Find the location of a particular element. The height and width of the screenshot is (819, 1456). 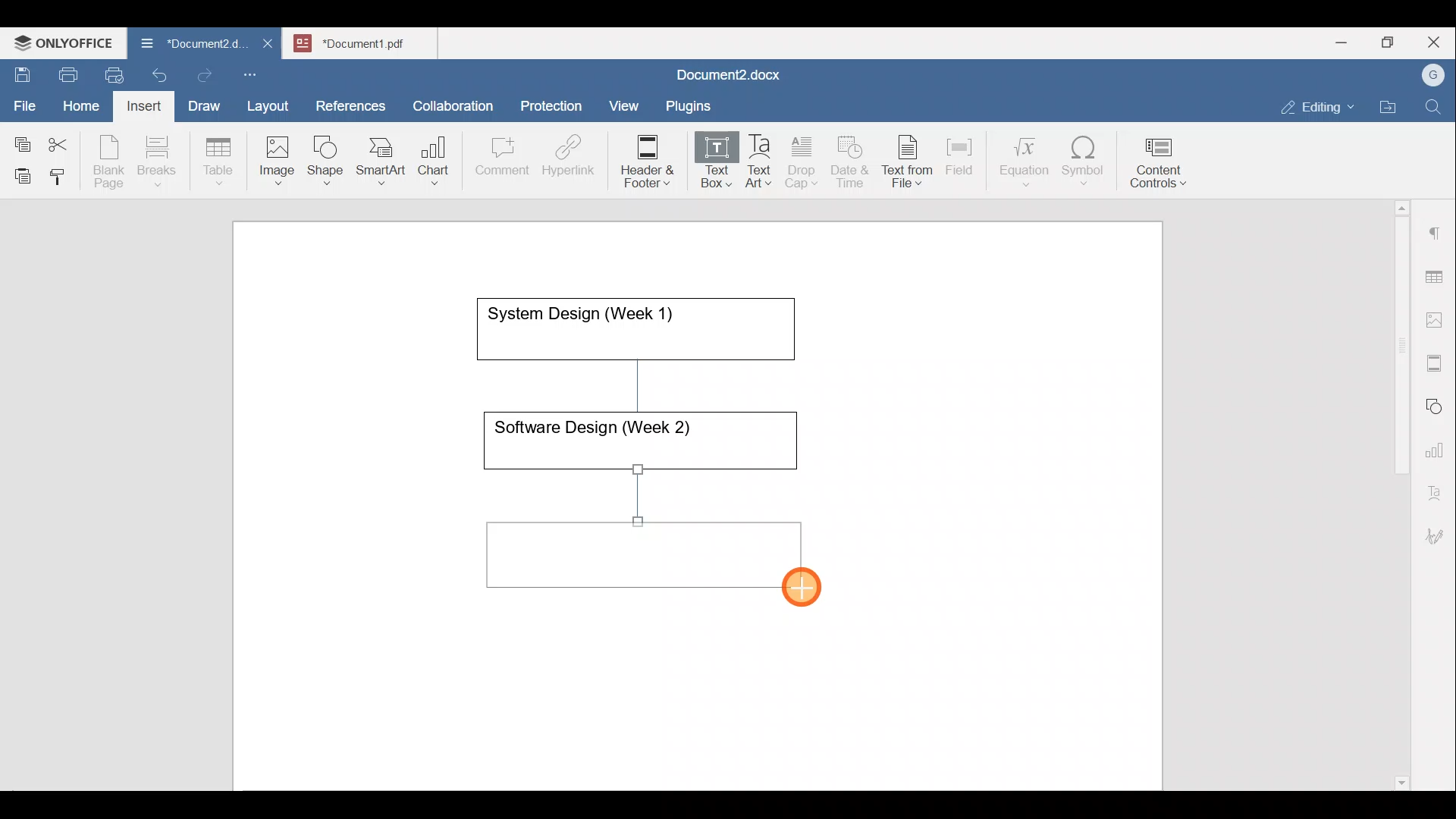

Plugins is located at coordinates (693, 104).